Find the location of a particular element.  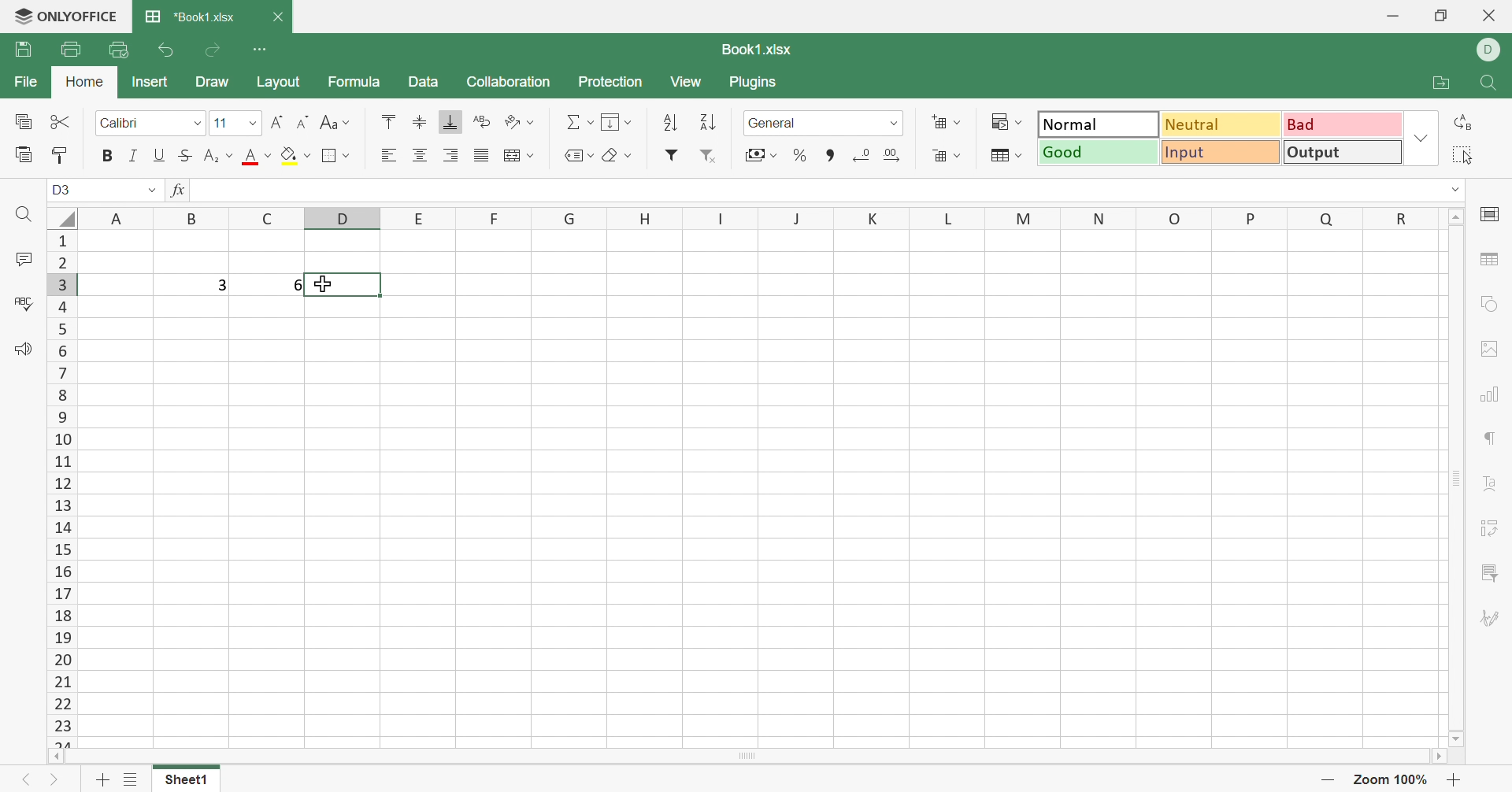

Pivot table settings is located at coordinates (1492, 527).